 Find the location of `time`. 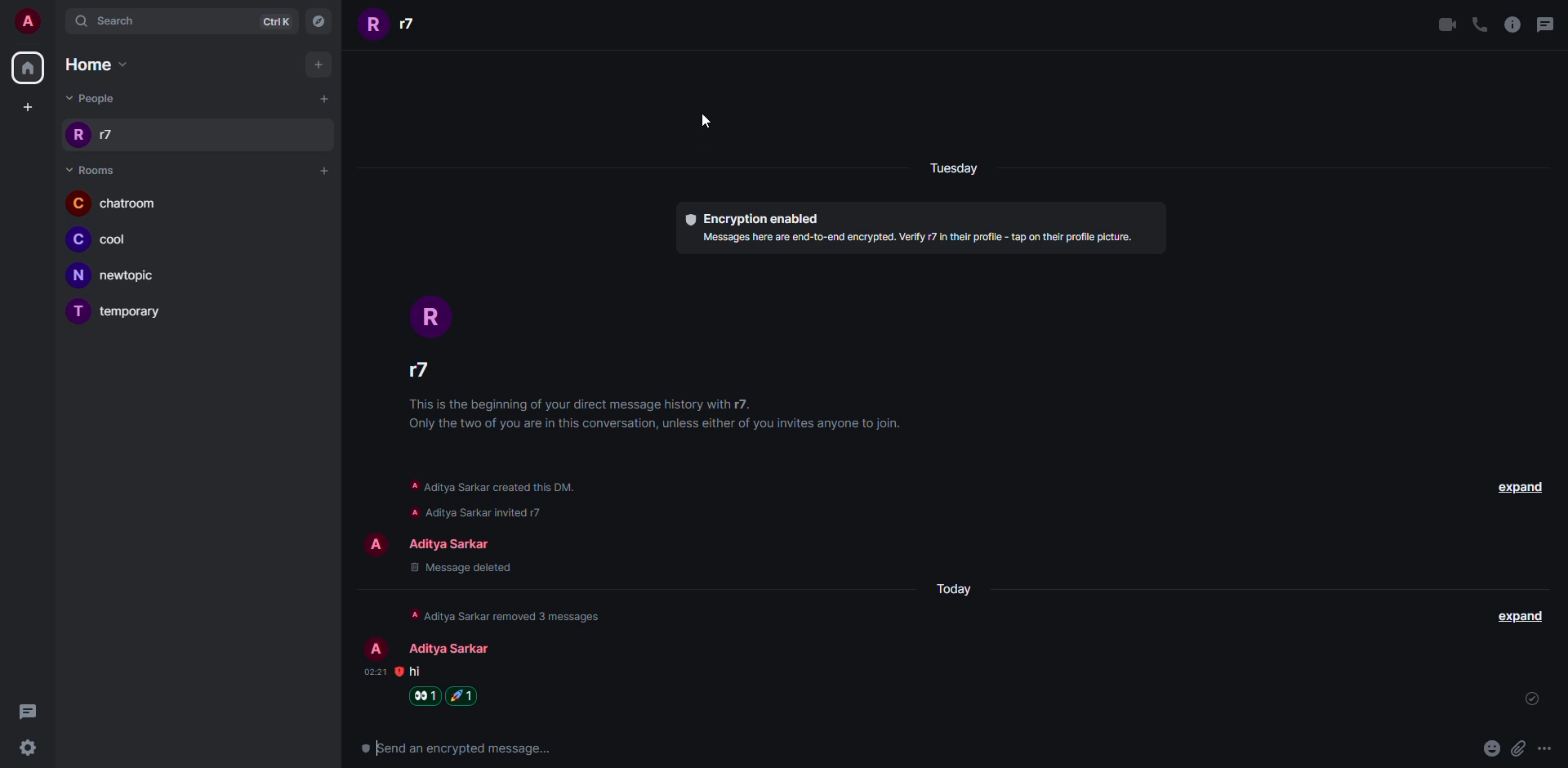

time is located at coordinates (376, 672).